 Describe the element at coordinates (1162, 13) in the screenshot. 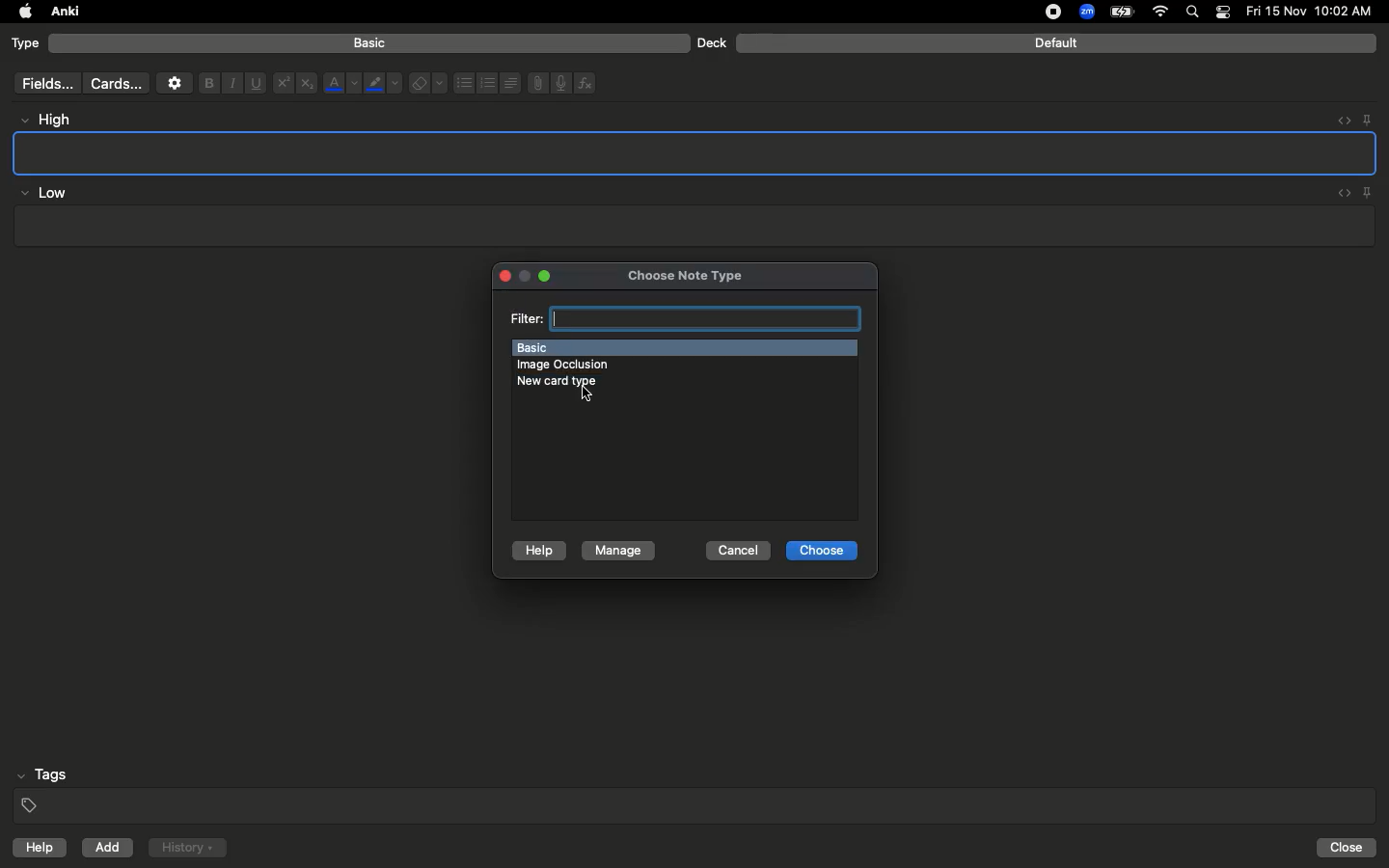

I see `Internet` at that location.